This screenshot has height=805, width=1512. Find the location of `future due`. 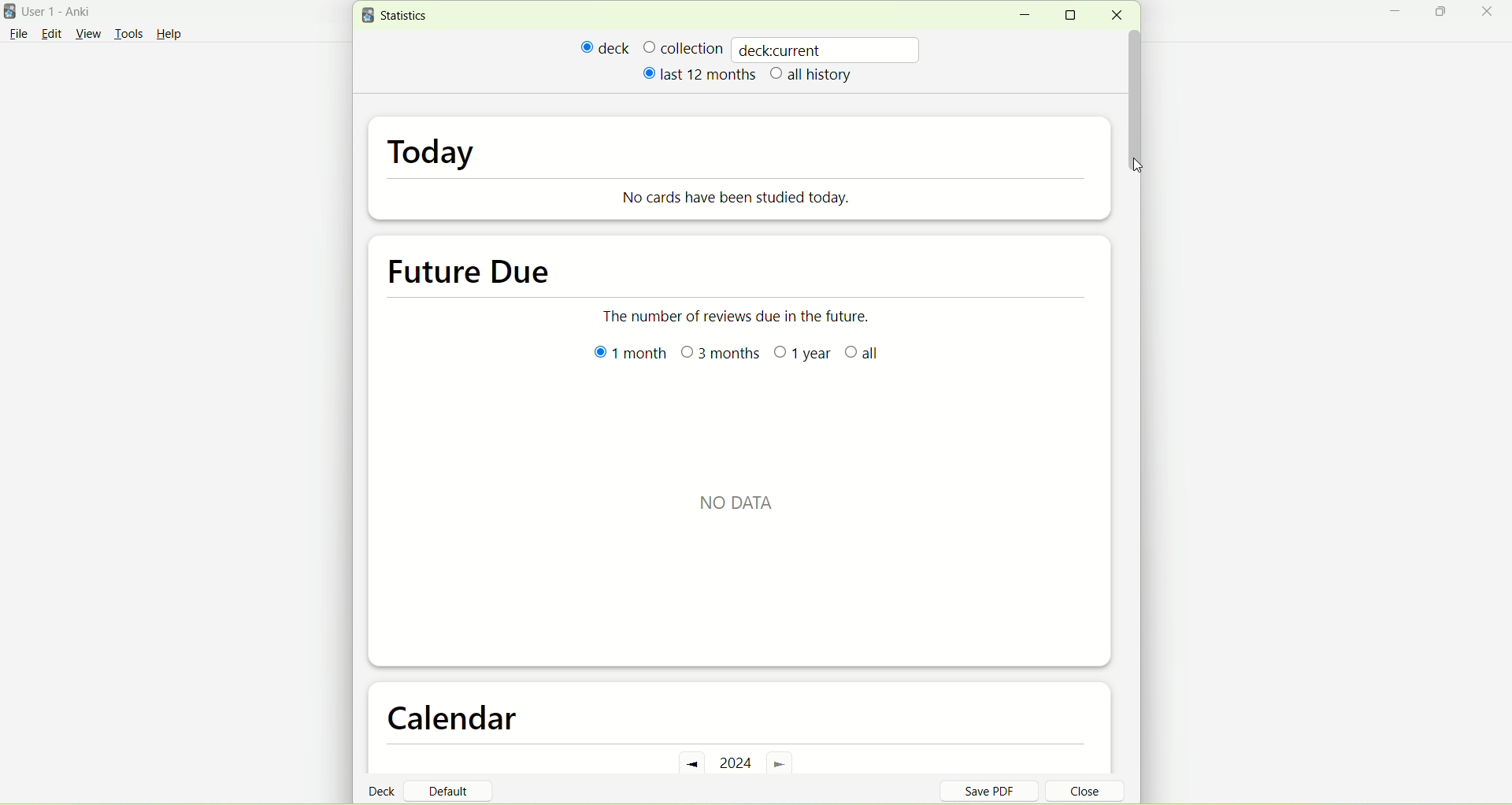

future due is located at coordinates (473, 269).